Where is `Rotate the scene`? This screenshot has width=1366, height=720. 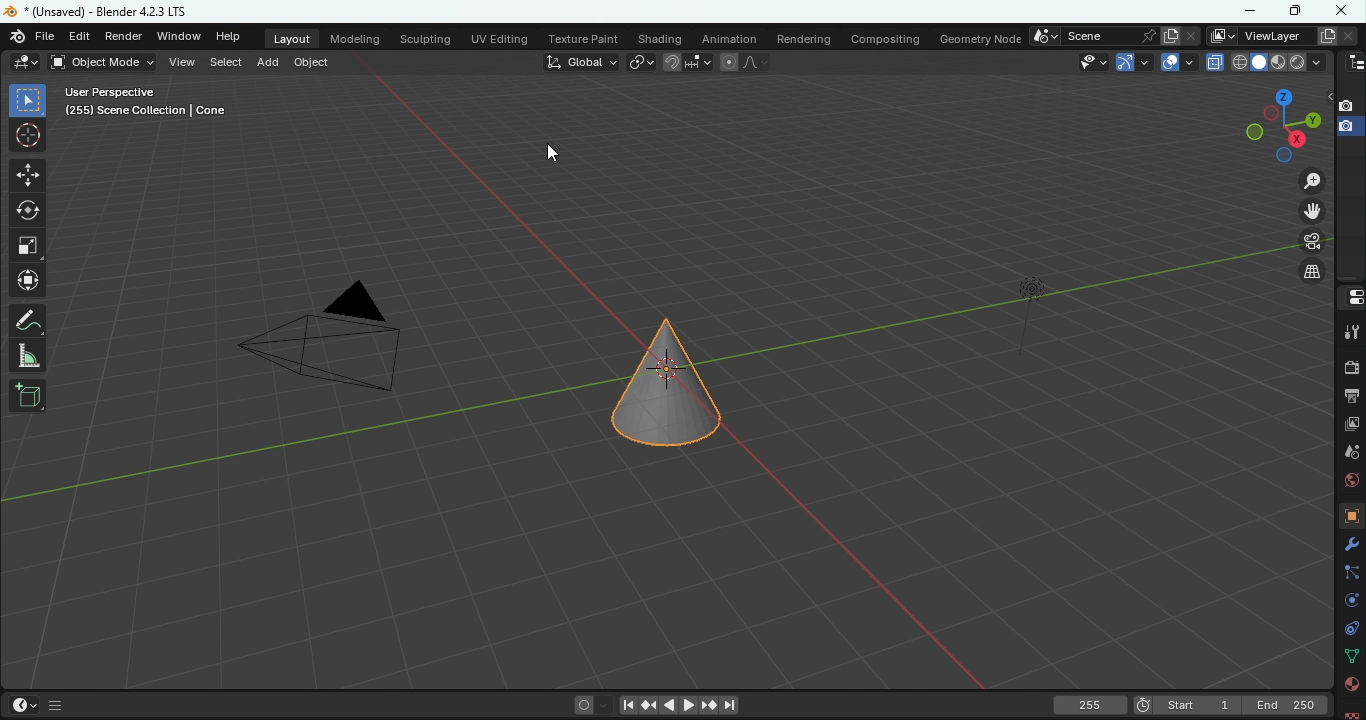 Rotate the scene is located at coordinates (1284, 156).